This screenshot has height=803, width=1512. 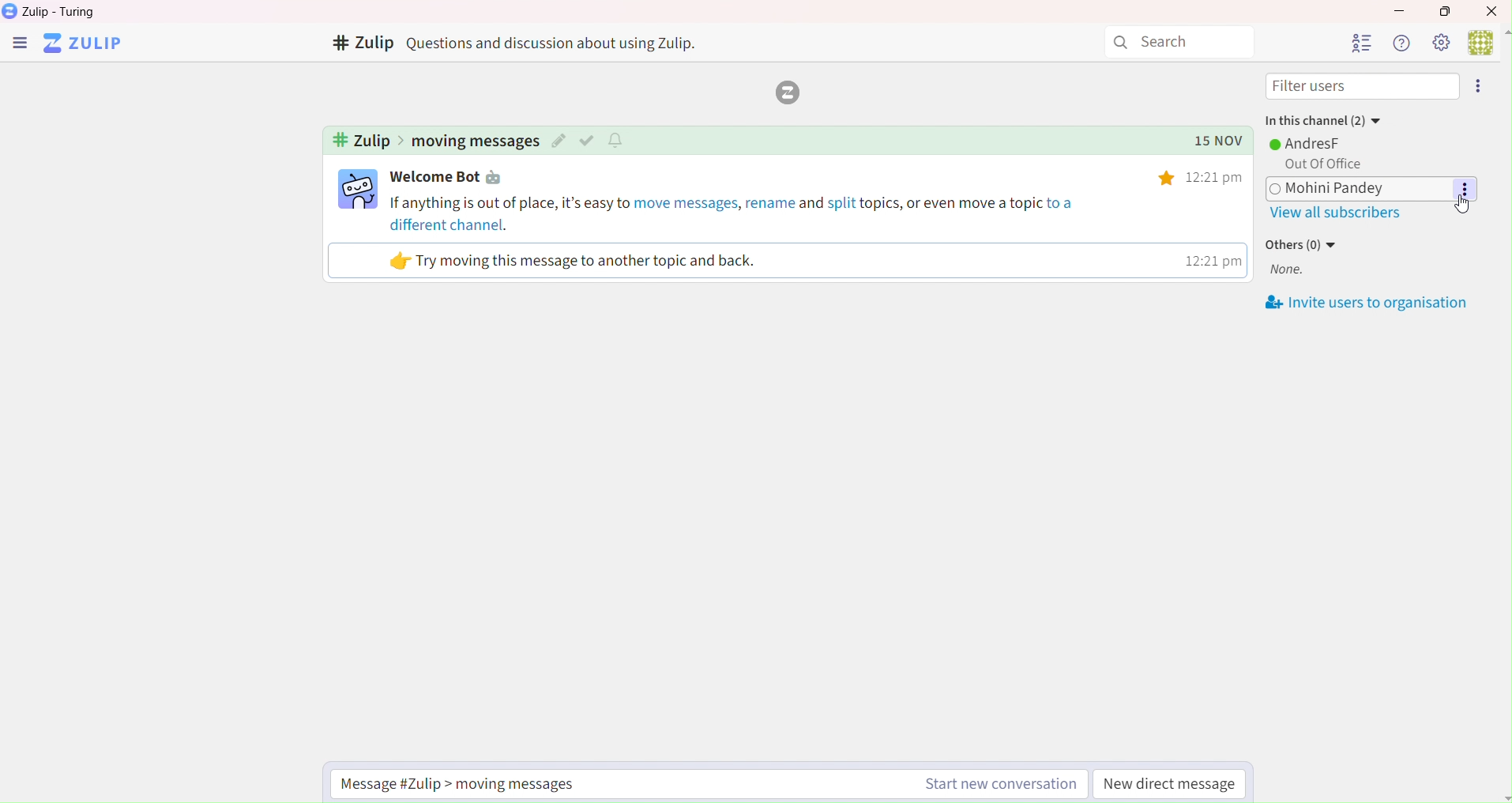 I want to click on Settings, so click(x=1440, y=42).